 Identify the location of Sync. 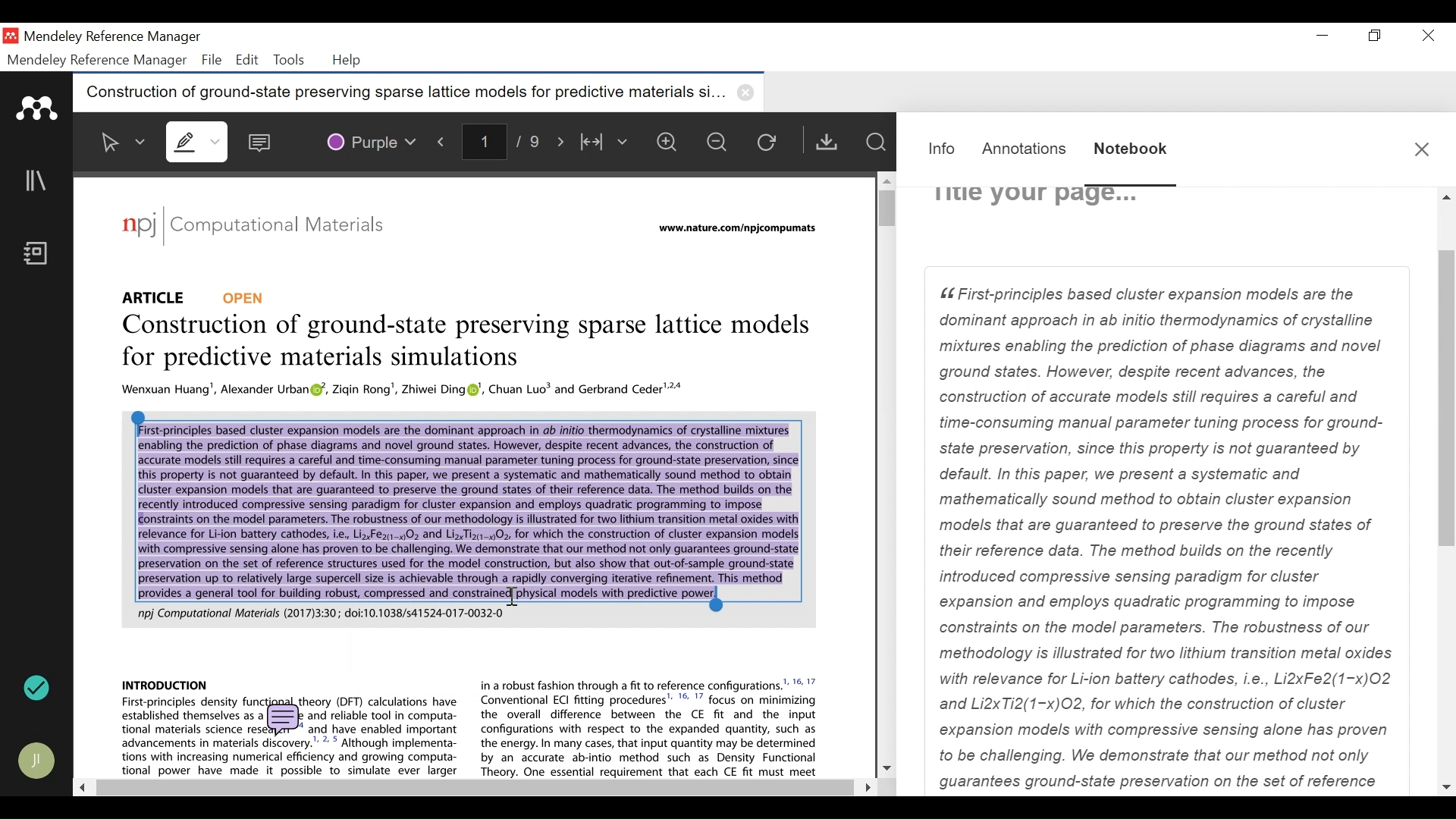
(38, 688).